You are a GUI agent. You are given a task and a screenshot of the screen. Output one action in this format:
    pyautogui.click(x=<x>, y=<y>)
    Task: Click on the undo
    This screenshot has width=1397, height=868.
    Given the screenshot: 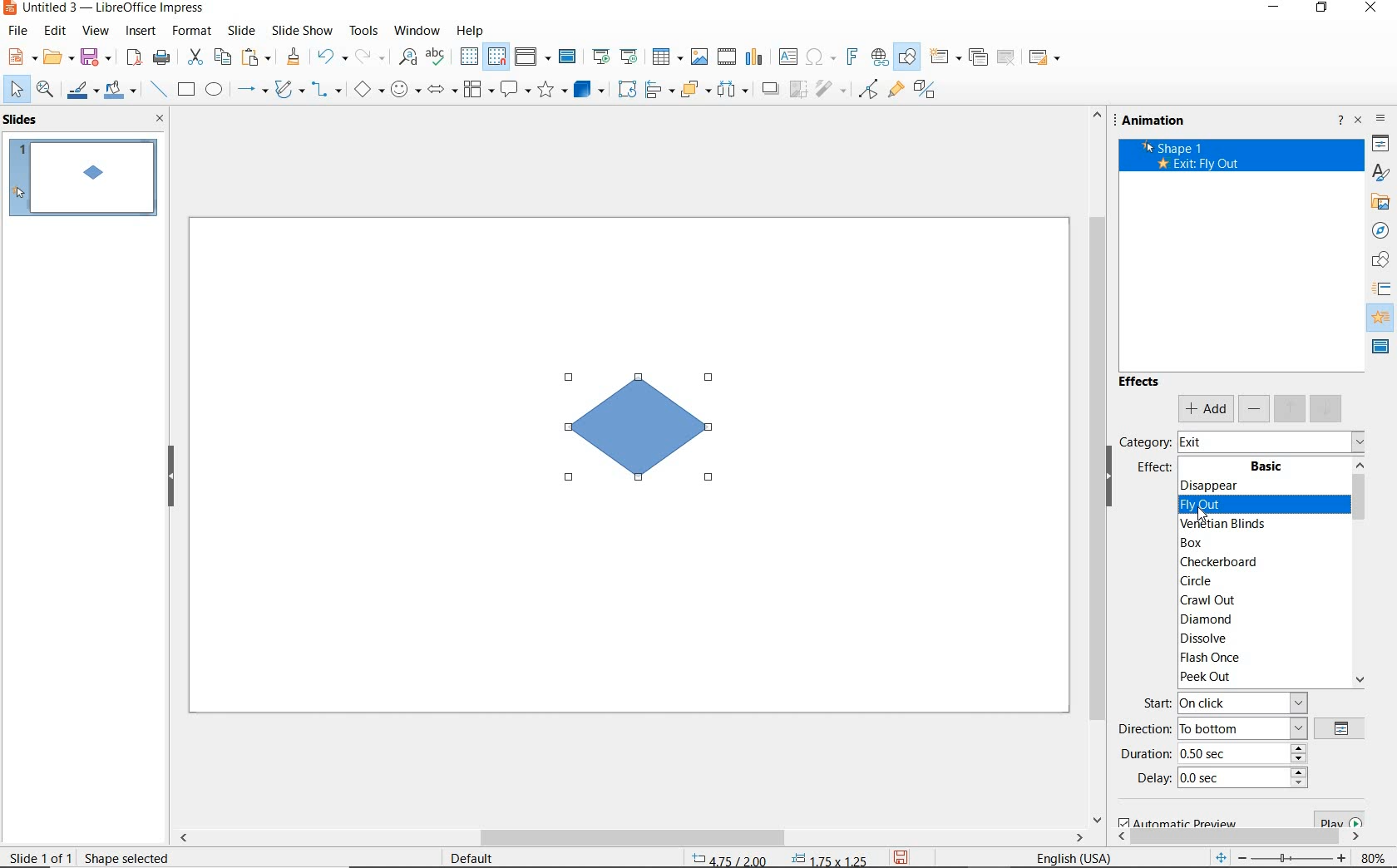 What is the action you would take?
    pyautogui.click(x=332, y=56)
    